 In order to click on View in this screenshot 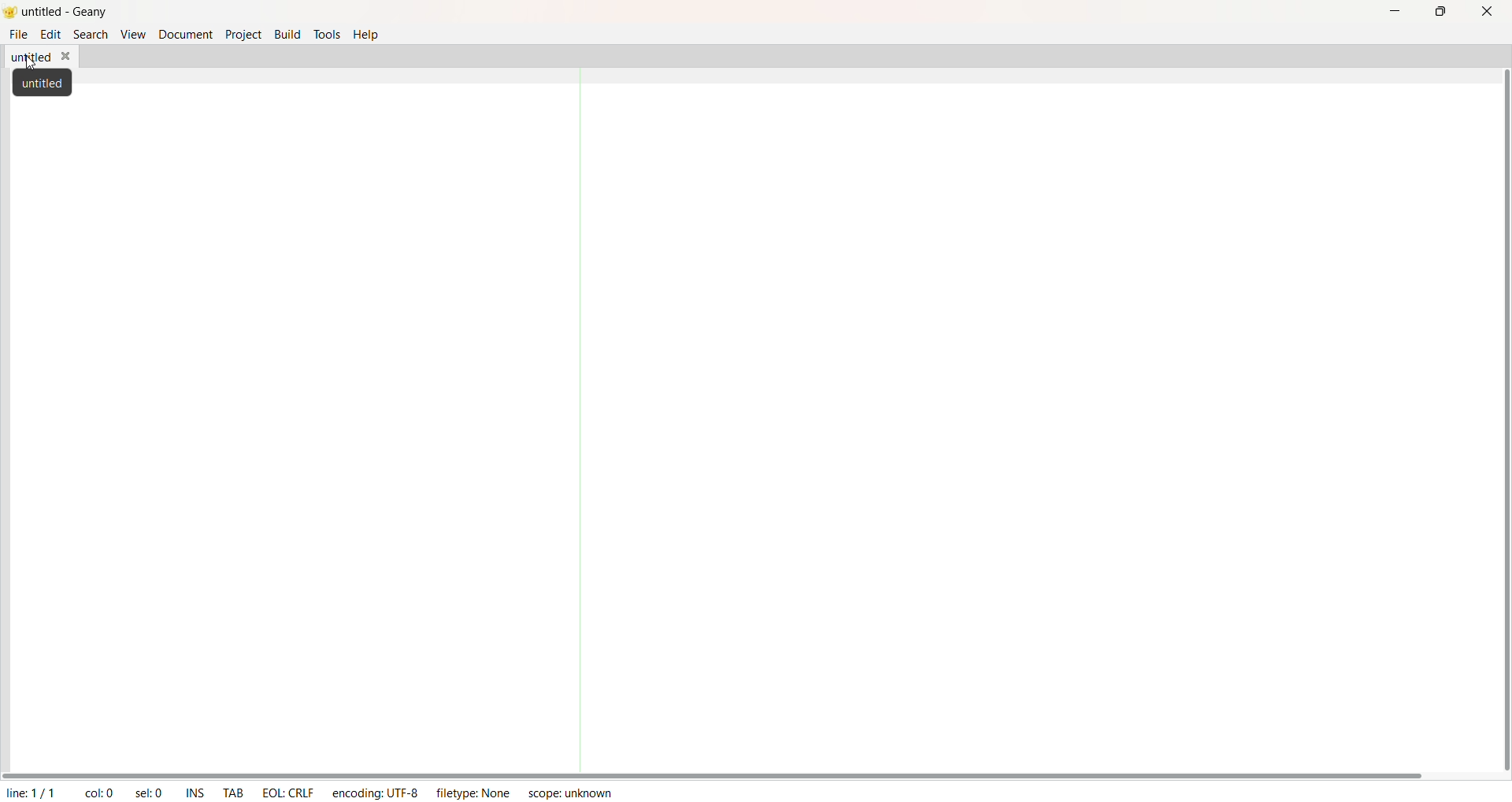, I will do `click(132, 35)`.